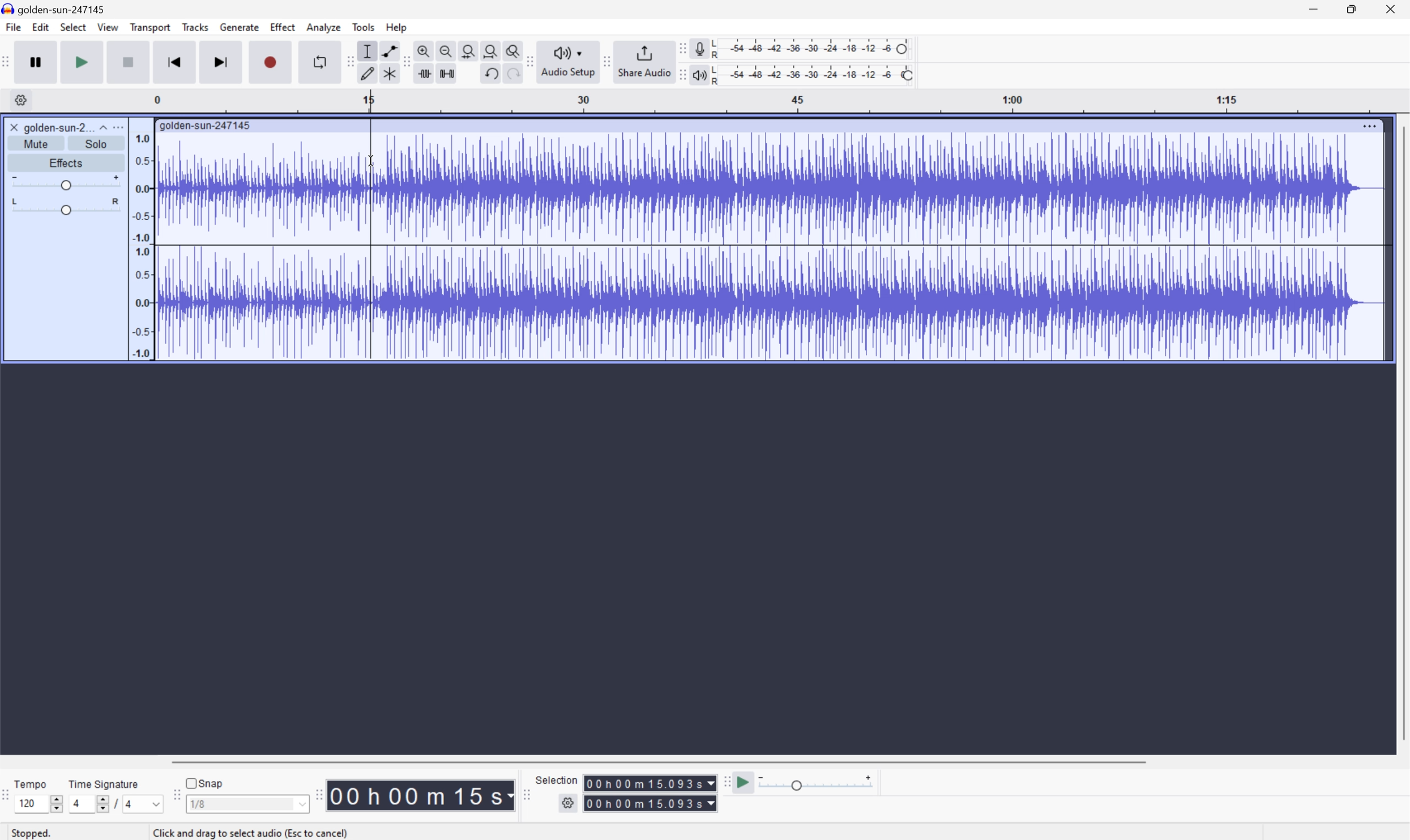  I want to click on Enable looping, so click(317, 61).